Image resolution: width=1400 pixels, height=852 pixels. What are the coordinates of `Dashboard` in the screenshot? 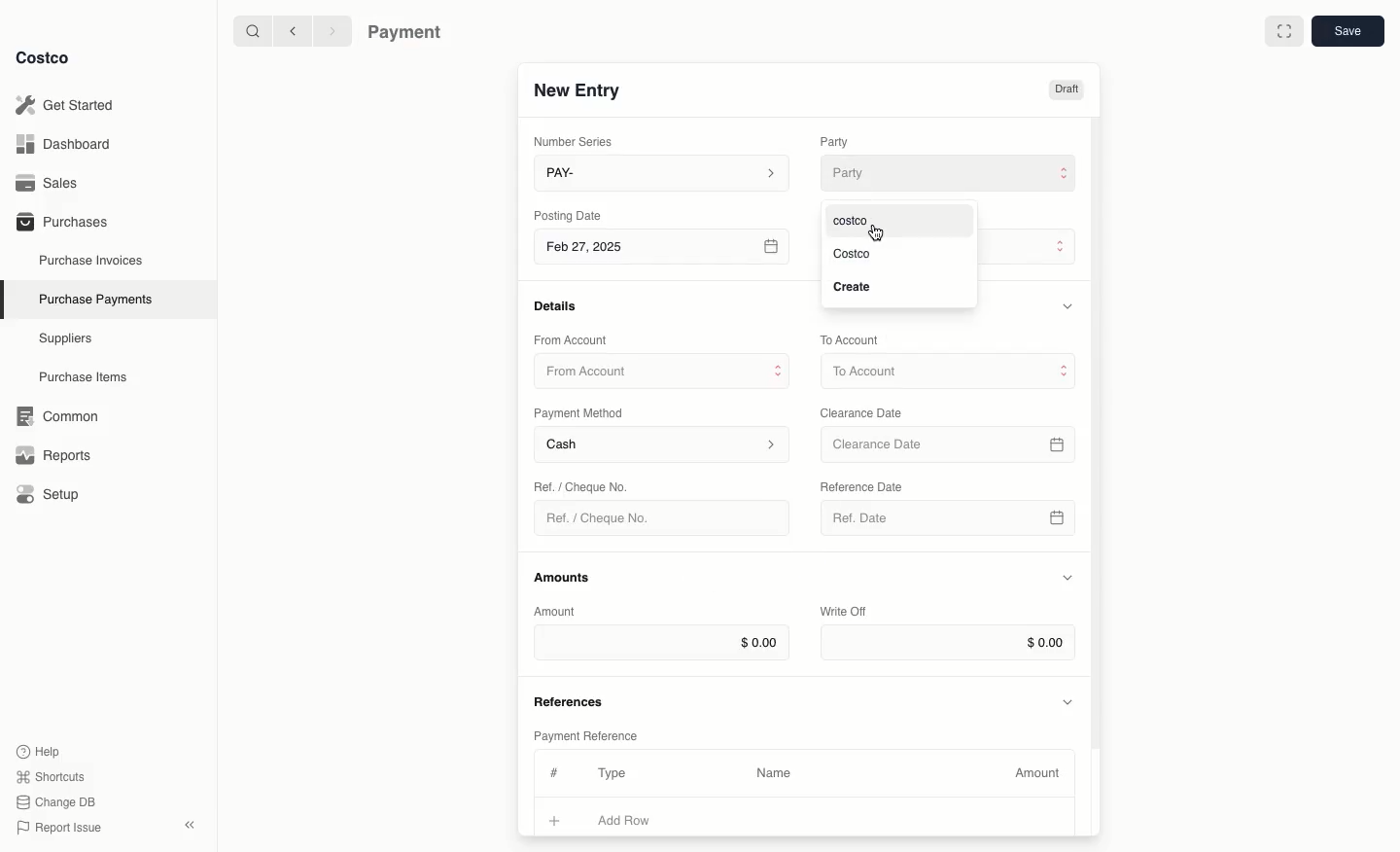 It's located at (69, 143).